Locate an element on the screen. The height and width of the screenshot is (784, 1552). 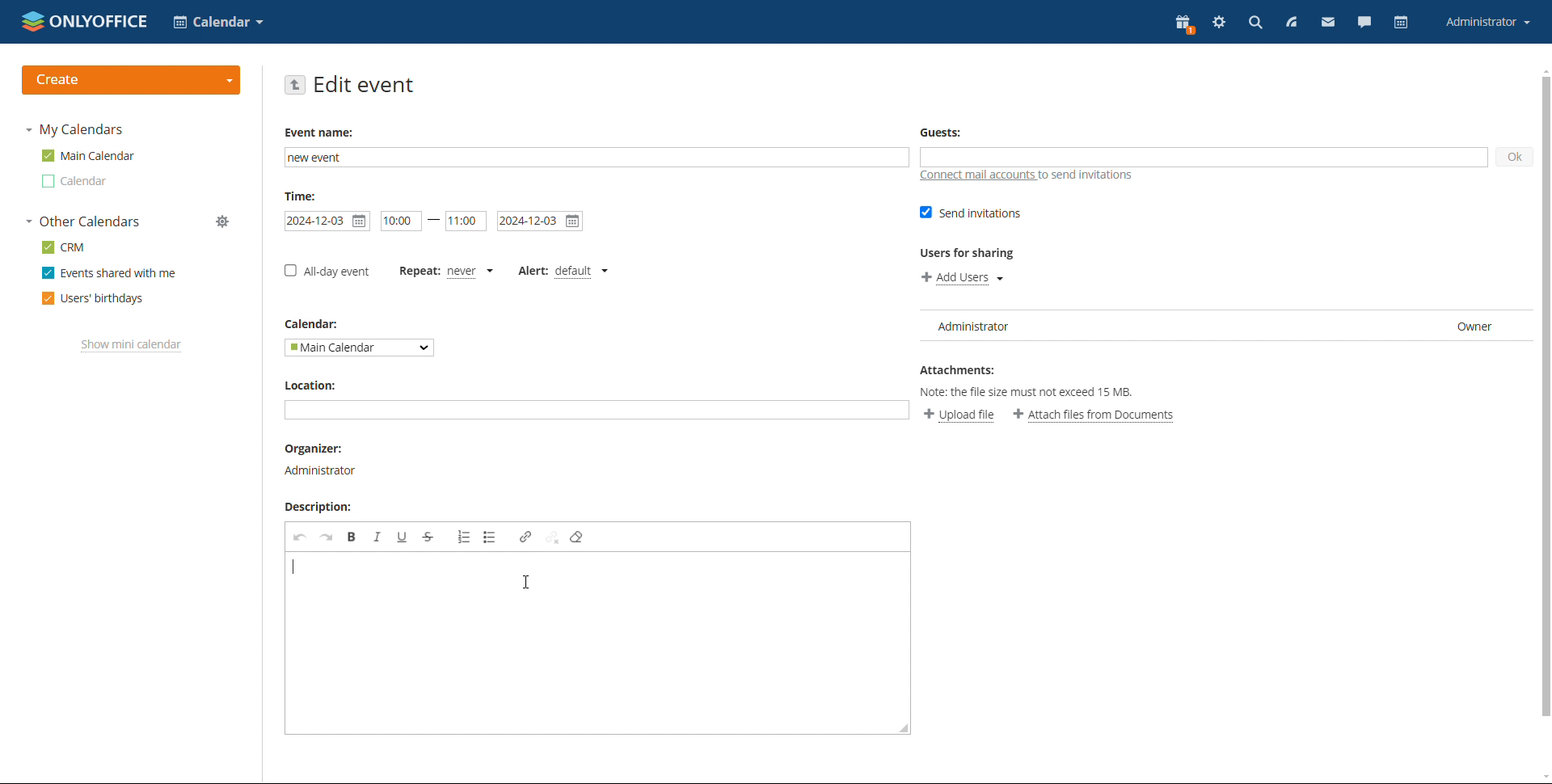
typing started is located at coordinates (293, 566).